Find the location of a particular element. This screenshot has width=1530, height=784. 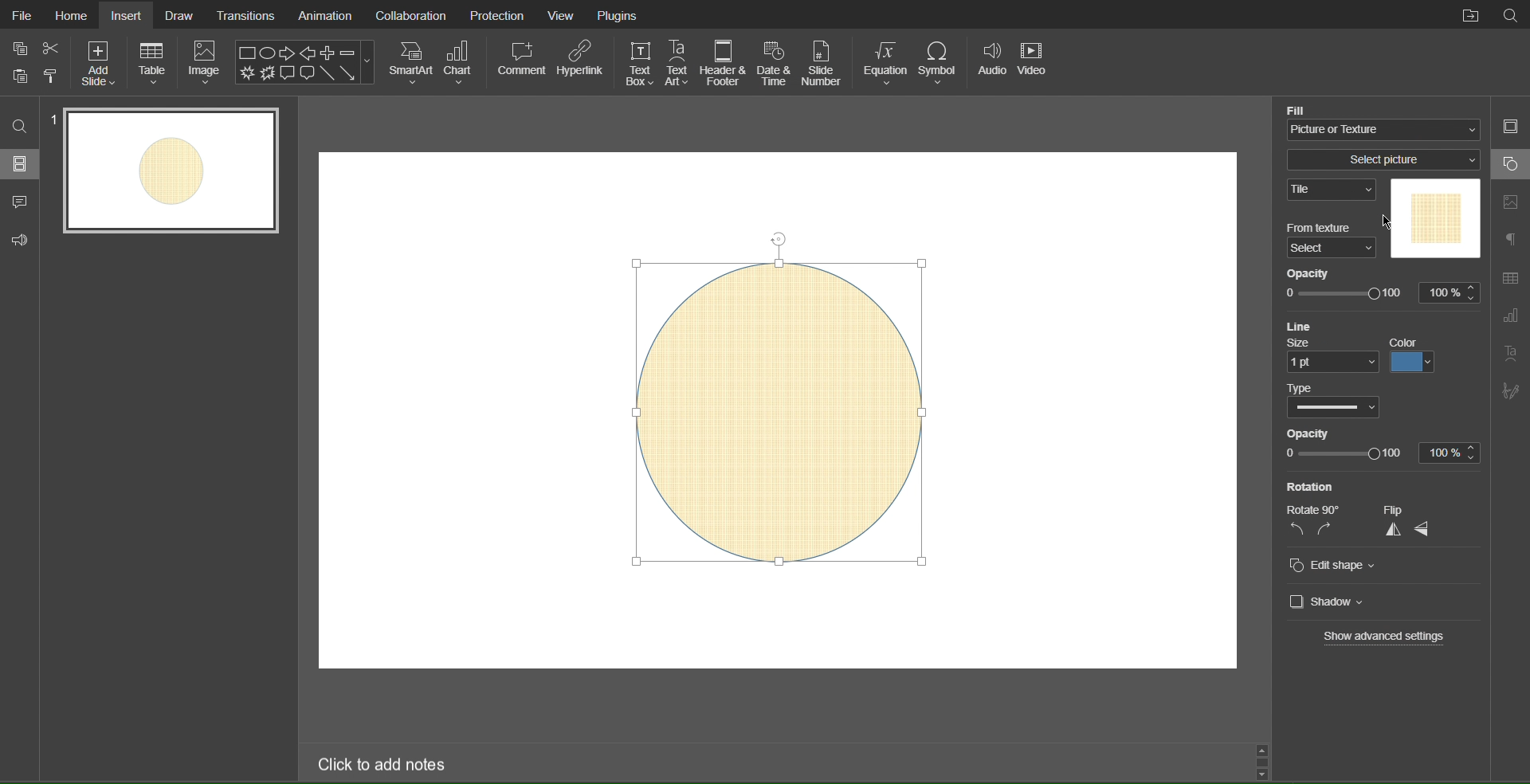

type is located at coordinates (1300, 387).